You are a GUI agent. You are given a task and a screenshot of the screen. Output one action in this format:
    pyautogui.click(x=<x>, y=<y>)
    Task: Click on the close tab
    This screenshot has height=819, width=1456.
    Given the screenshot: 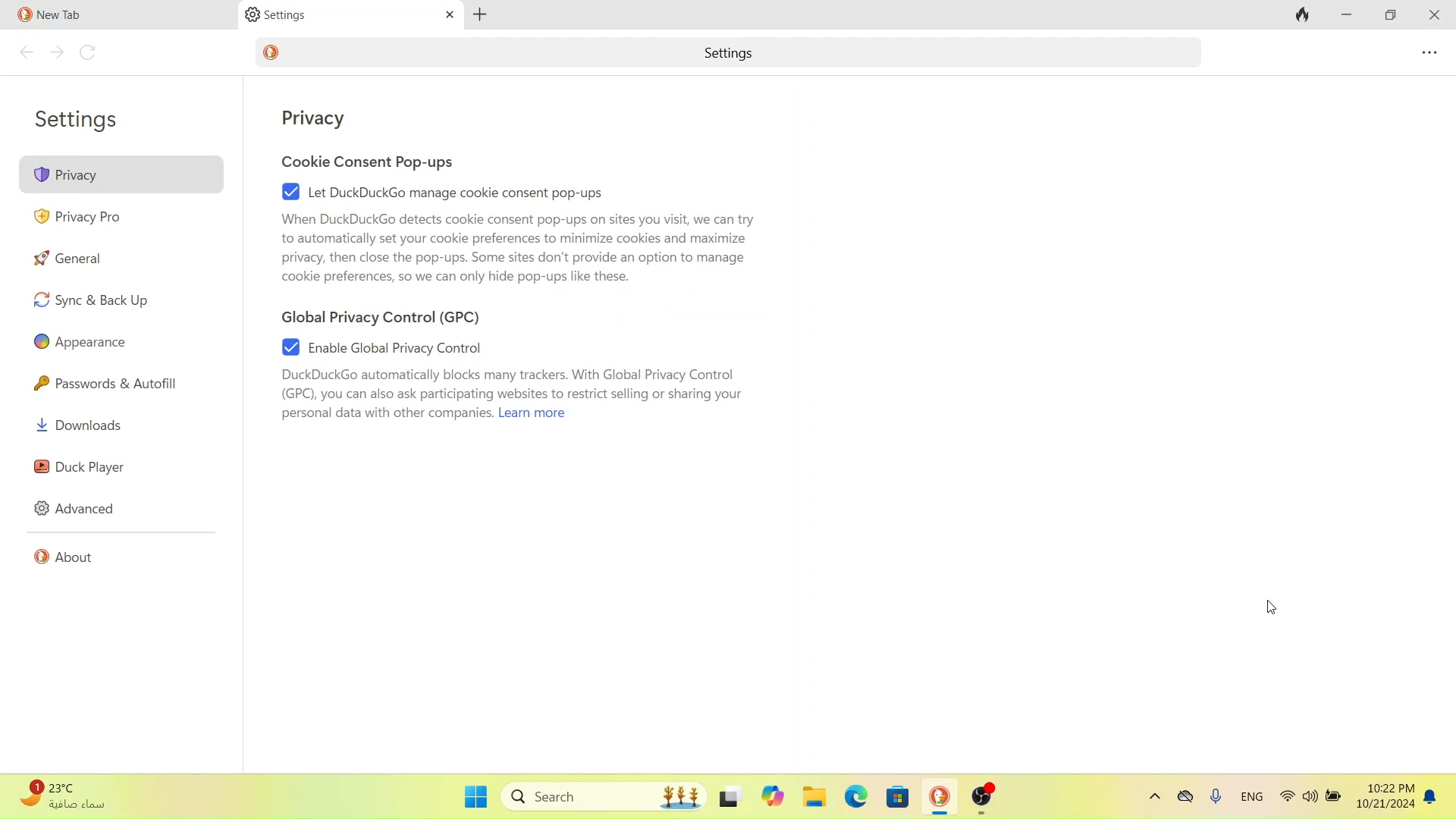 What is the action you would take?
    pyautogui.click(x=444, y=15)
    